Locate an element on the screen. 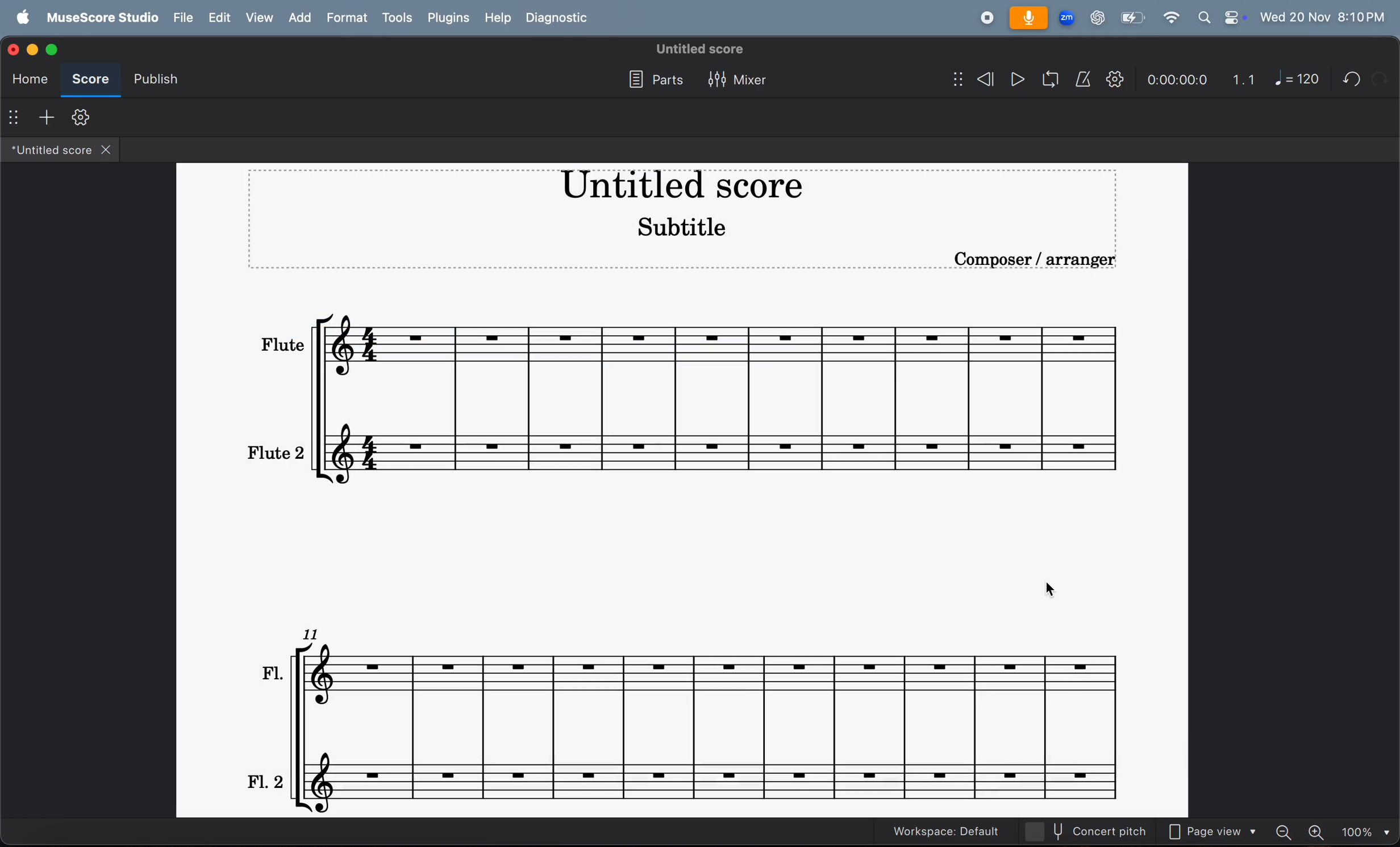 This screenshot has width=1400, height=847. publish is located at coordinates (157, 78).